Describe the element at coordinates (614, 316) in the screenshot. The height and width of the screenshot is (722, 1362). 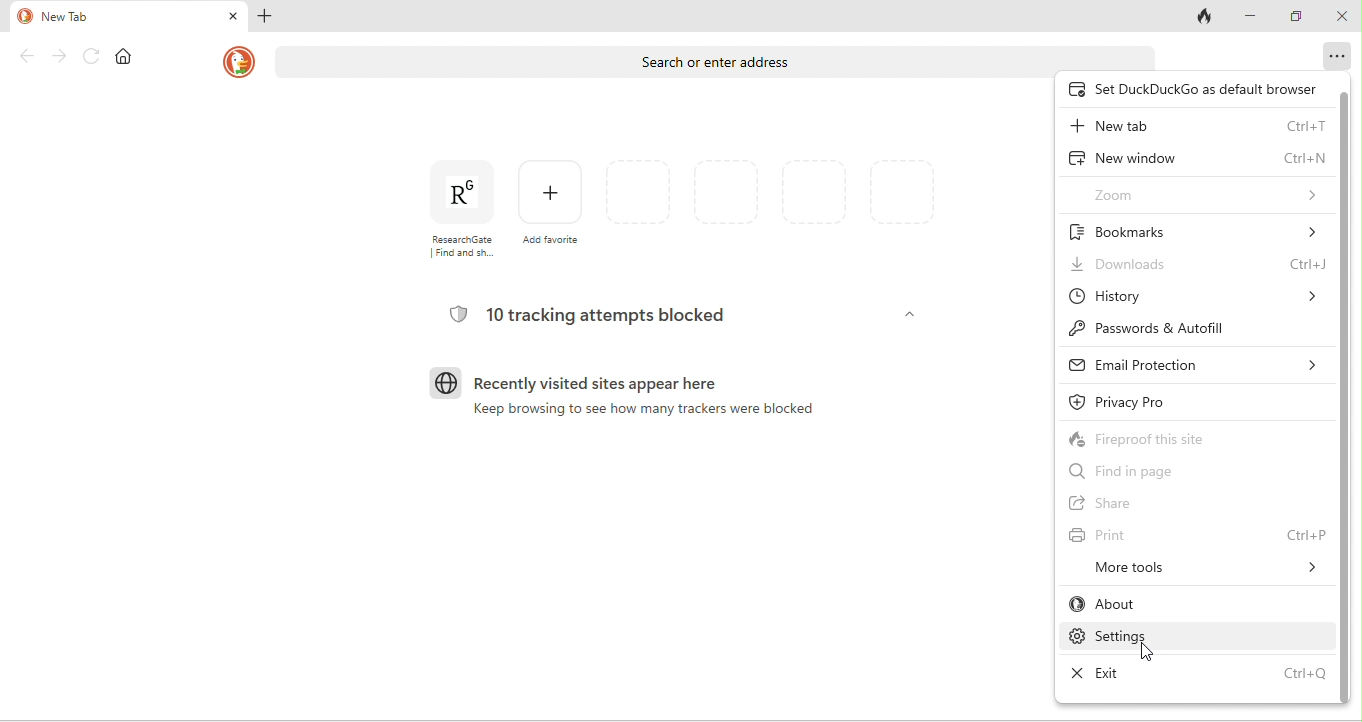
I see `10 tracking attempts blocked` at that location.